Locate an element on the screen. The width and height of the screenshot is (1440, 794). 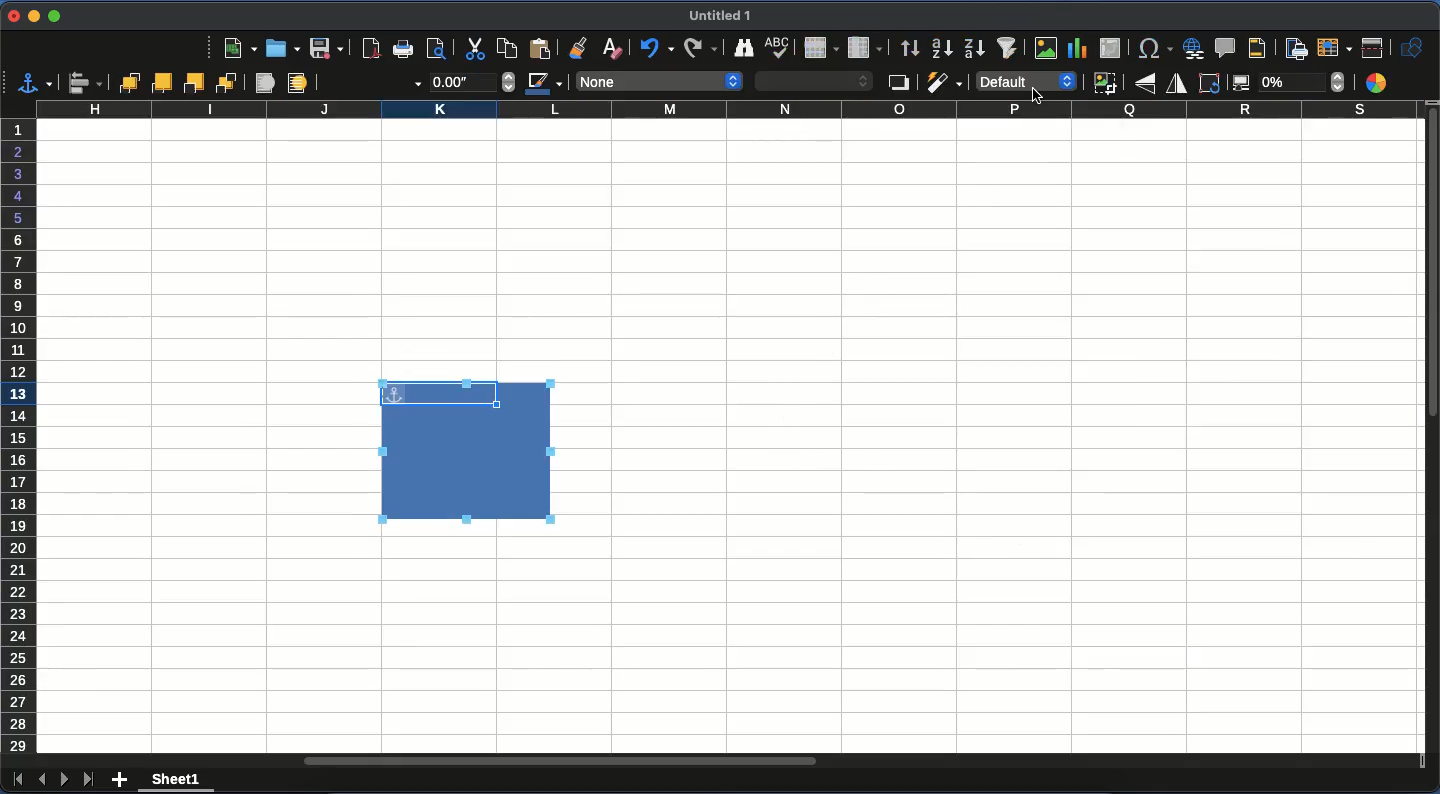
redo is located at coordinates (696, 47).